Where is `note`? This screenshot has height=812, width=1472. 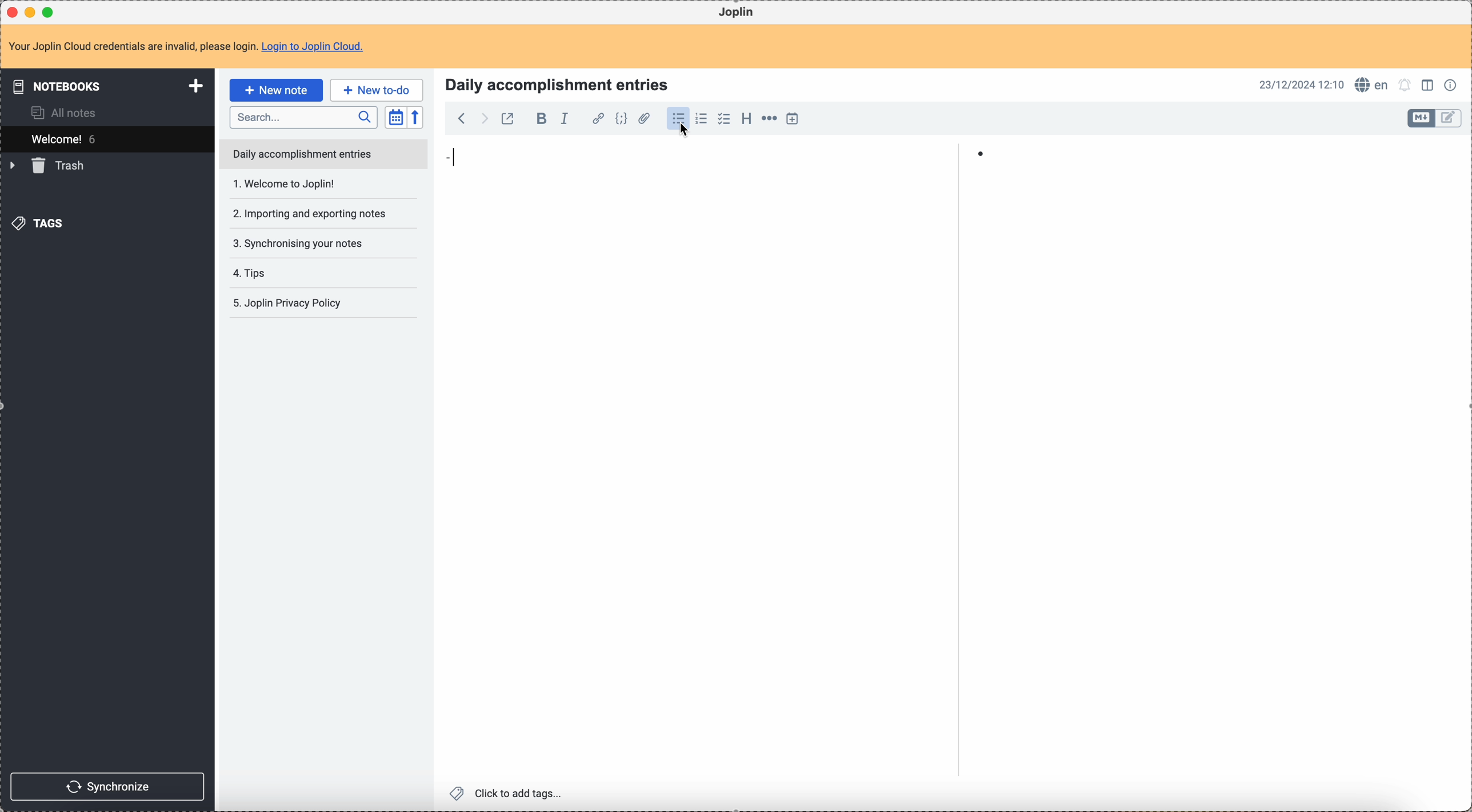
note is located at coordinates (186, 47).